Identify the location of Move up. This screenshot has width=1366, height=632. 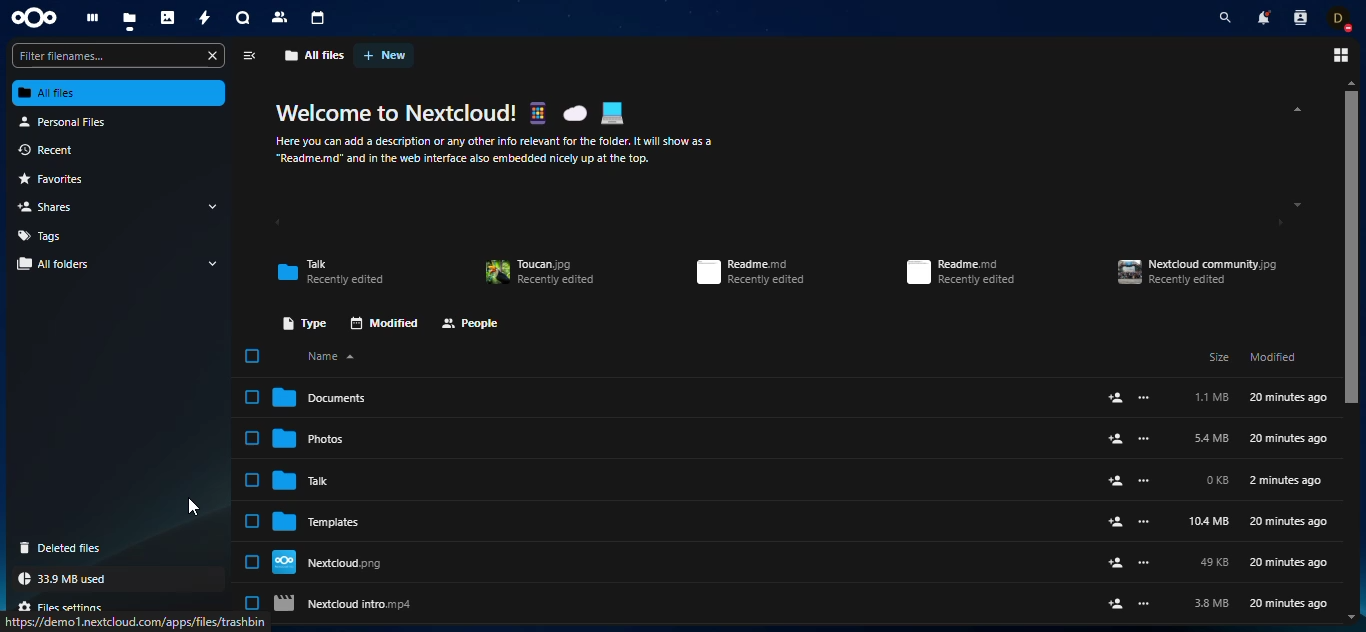
(1351, 83).